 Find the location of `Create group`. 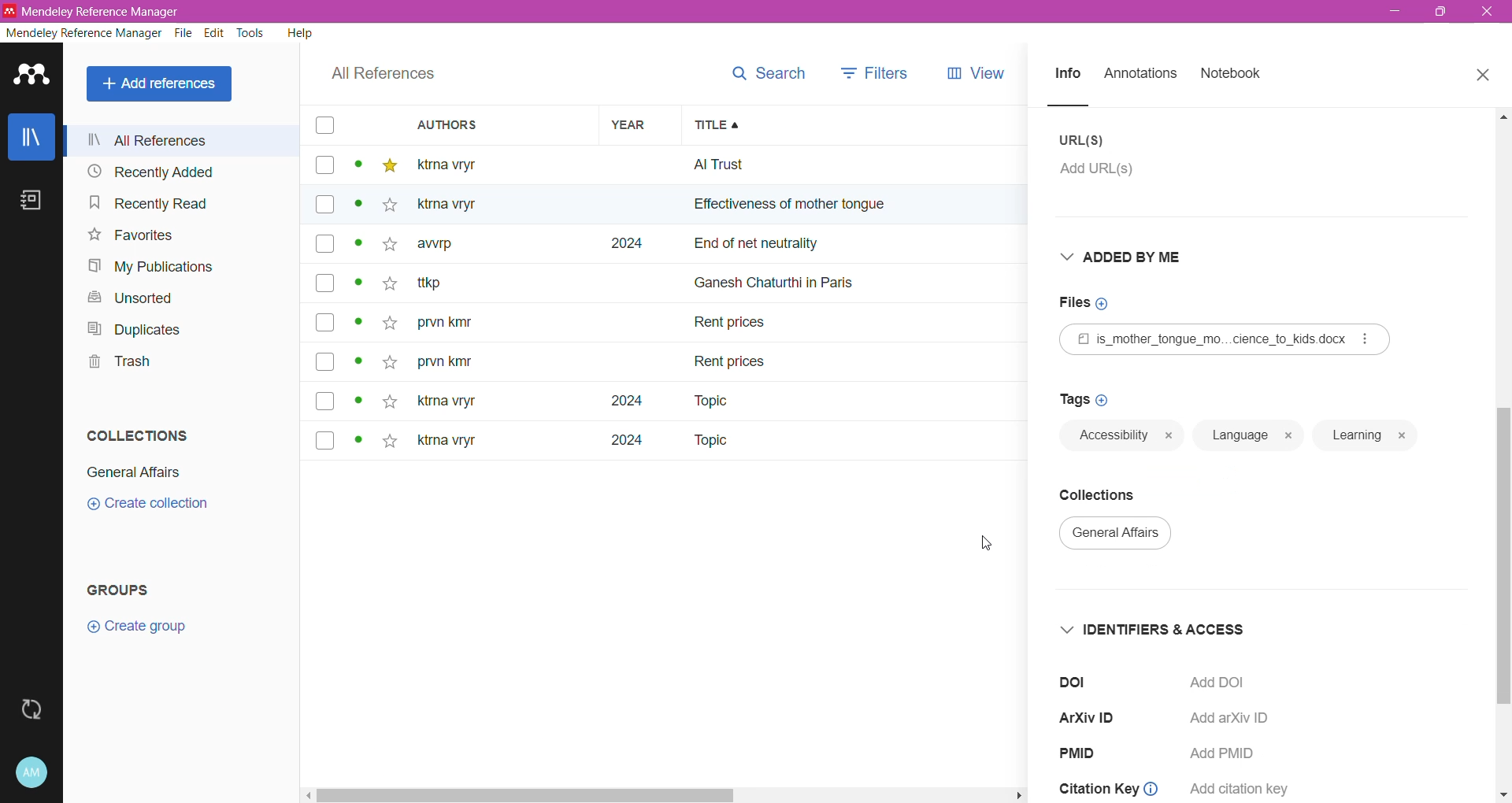

Create group is located at coordinates (136, 627).